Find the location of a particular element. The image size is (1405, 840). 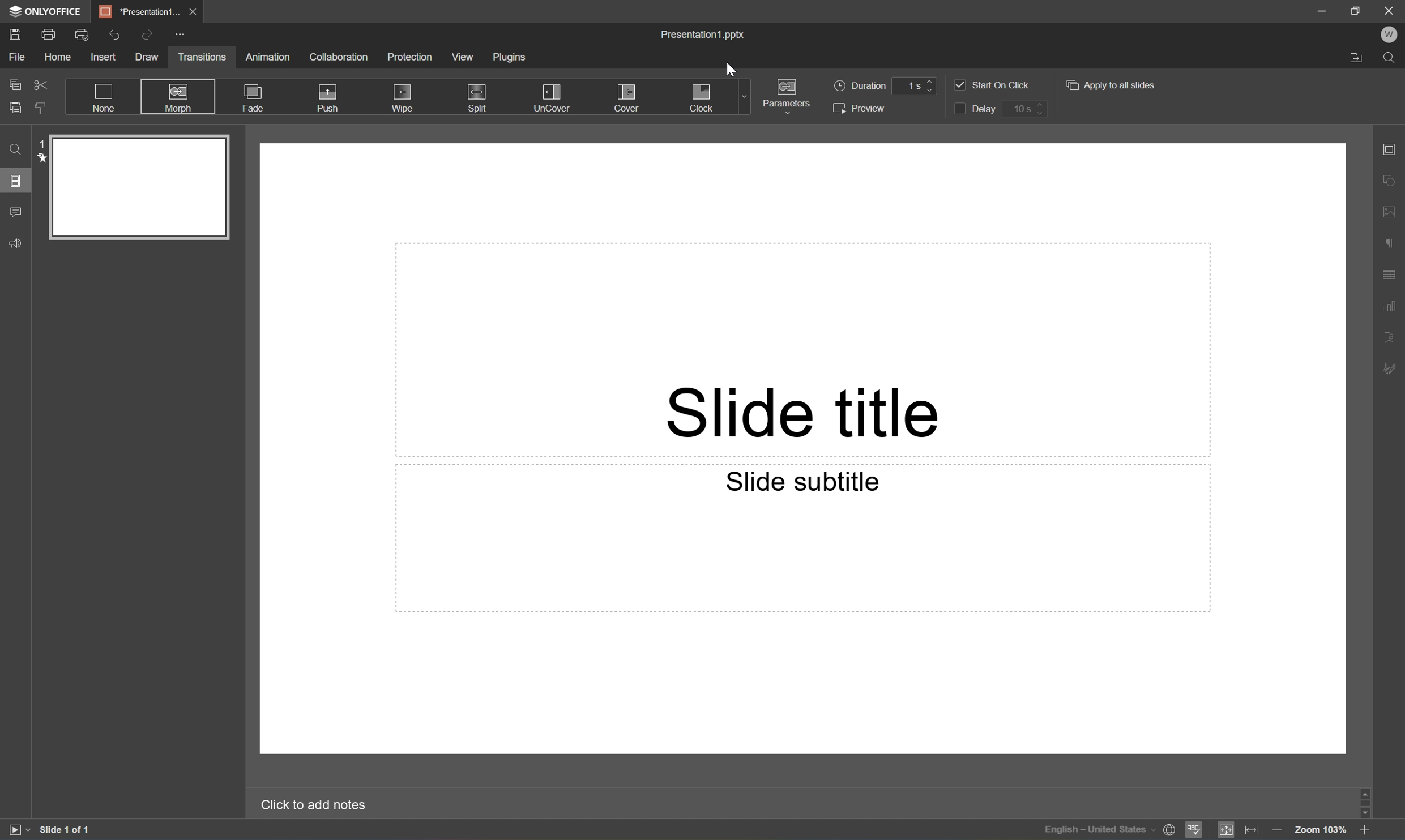

Copy style is located at coordinates (41, 108).